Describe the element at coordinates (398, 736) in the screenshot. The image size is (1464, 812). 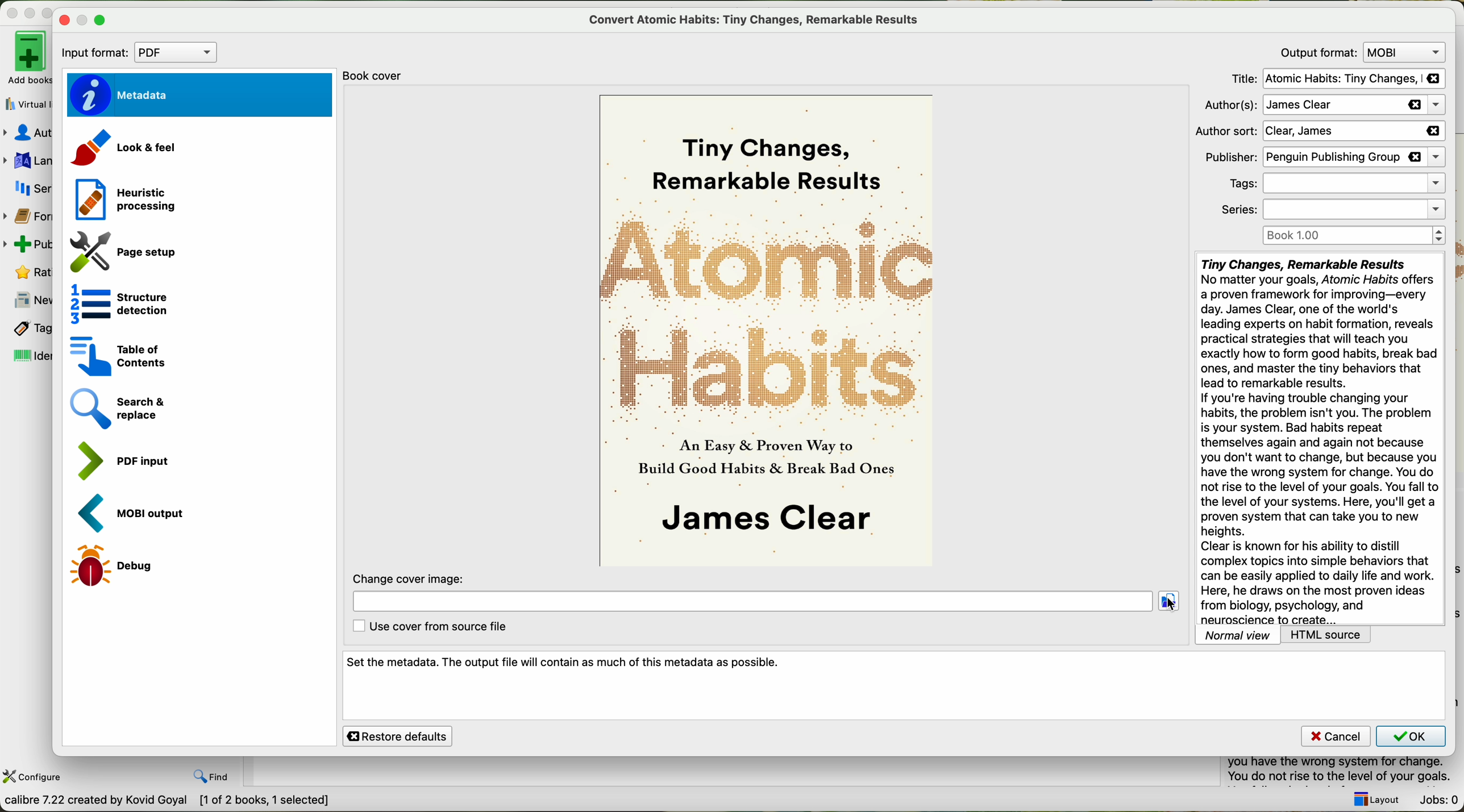
I see `restore defaults` at that location.